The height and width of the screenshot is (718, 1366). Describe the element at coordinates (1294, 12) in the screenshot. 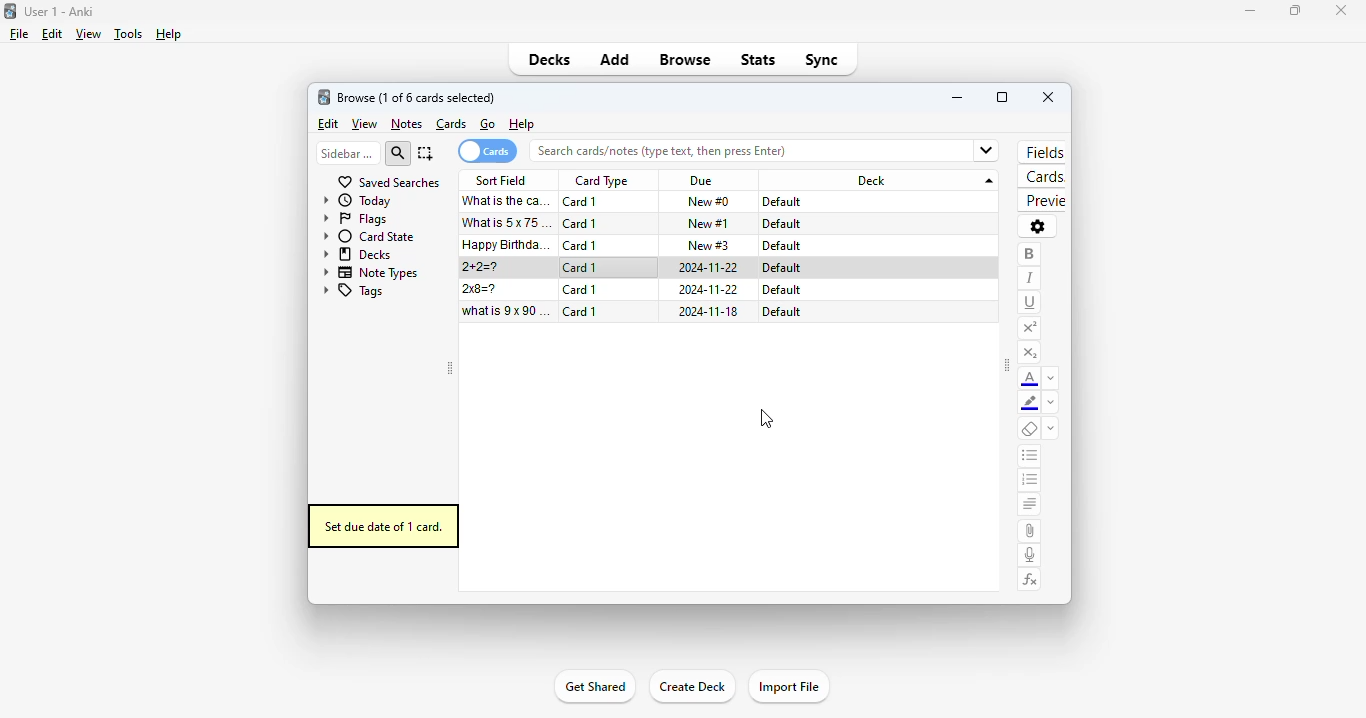

I see `maximize` at that location.